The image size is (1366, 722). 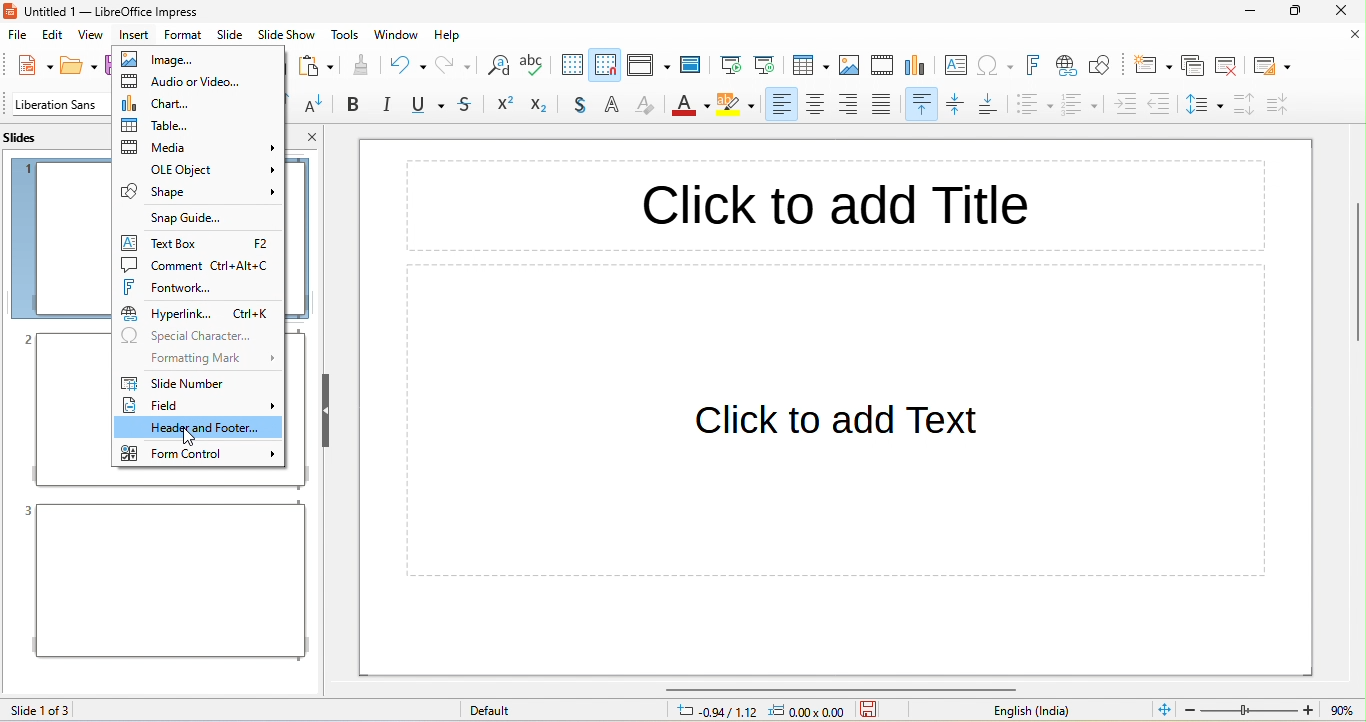 I want to click on table, so click(x=812, y=66).